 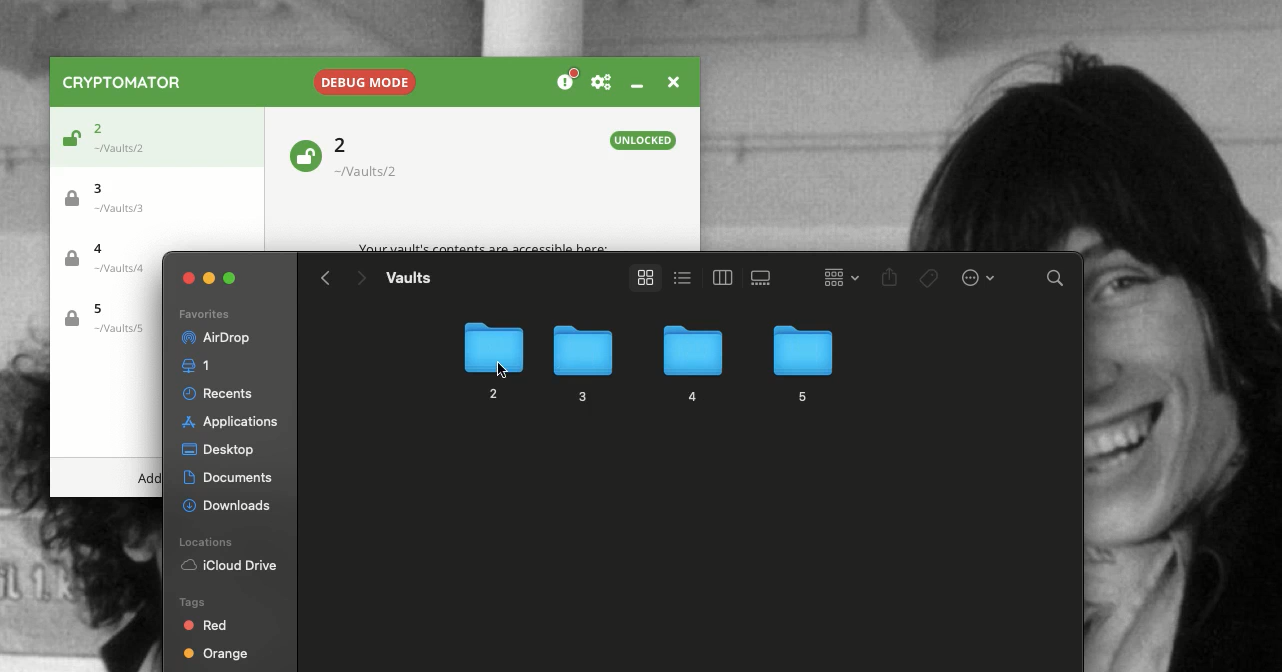 What do you see at coordinates (601, 83) in the screenshot?
I see `Preferences` at bounding box center [601, 83].